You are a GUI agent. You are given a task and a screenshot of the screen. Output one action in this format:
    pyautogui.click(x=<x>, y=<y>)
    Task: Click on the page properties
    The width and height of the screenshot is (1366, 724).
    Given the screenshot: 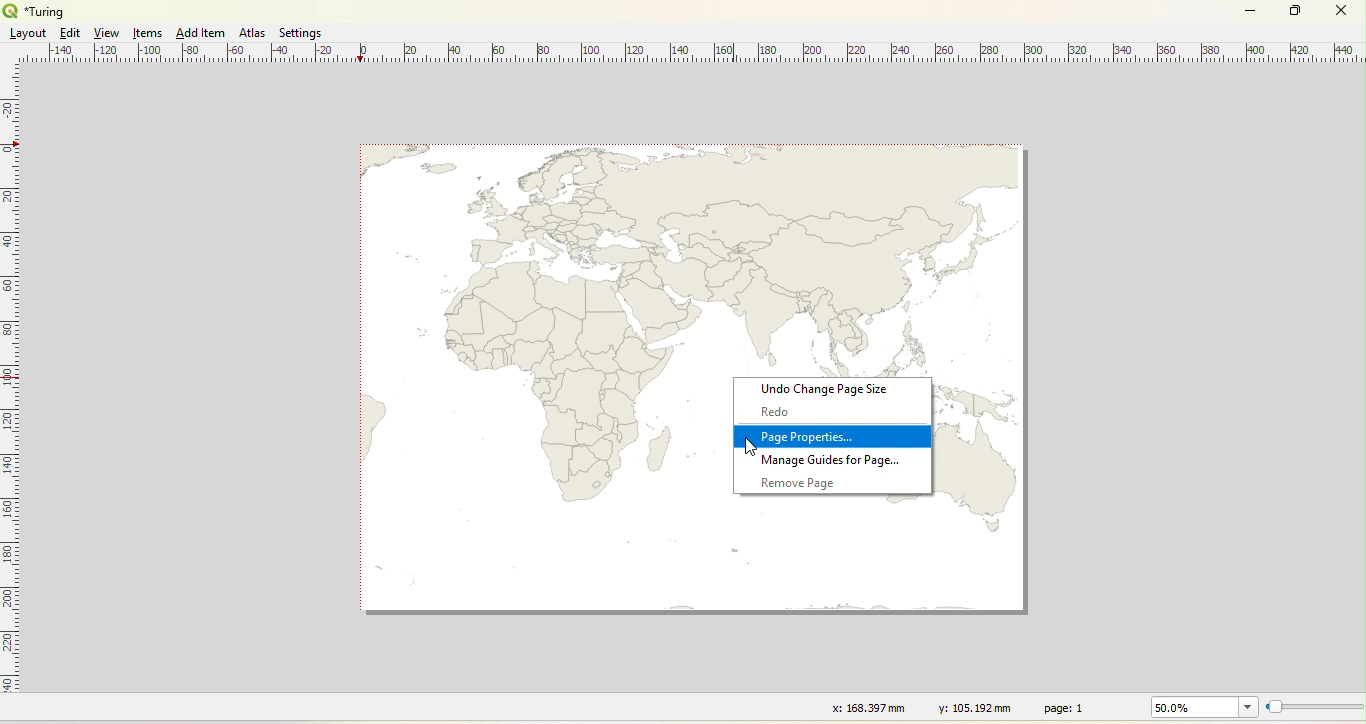 What is the action you would take?
    pyautogui.click(x=808, y=438)
    